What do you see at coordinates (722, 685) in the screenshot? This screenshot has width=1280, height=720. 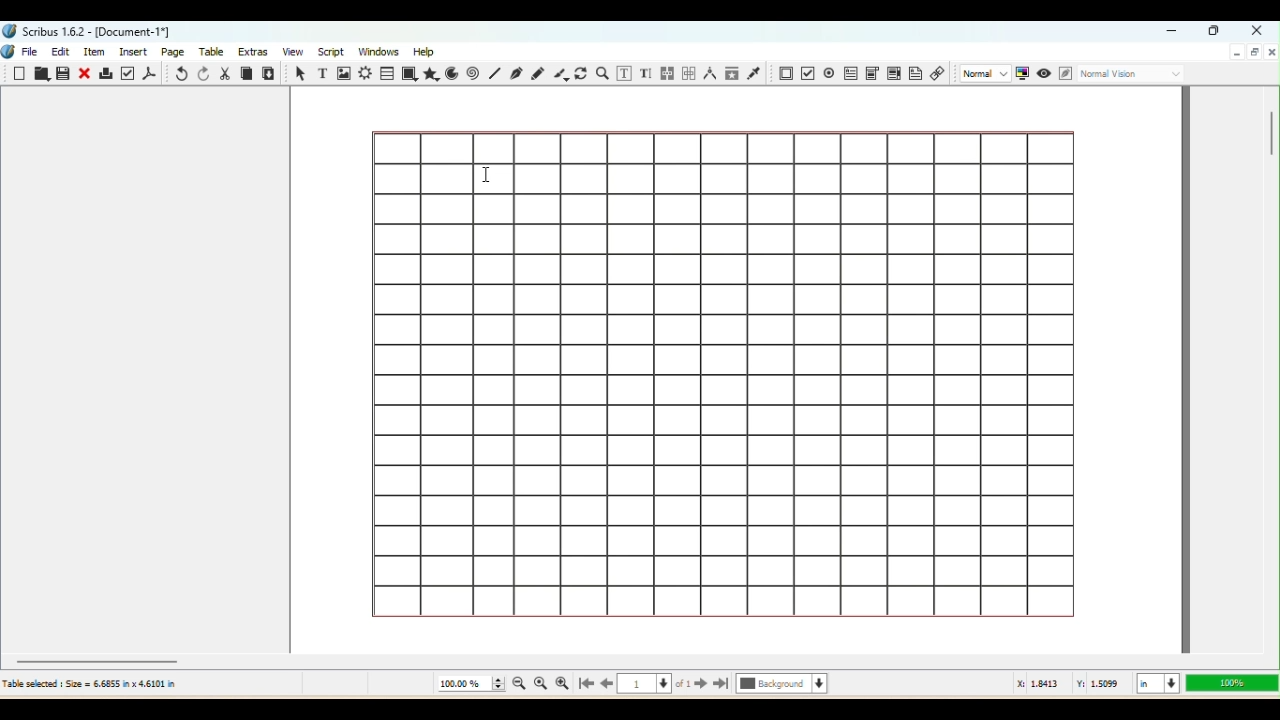 I see `Go to the last page` at bounding box center [722, 685].